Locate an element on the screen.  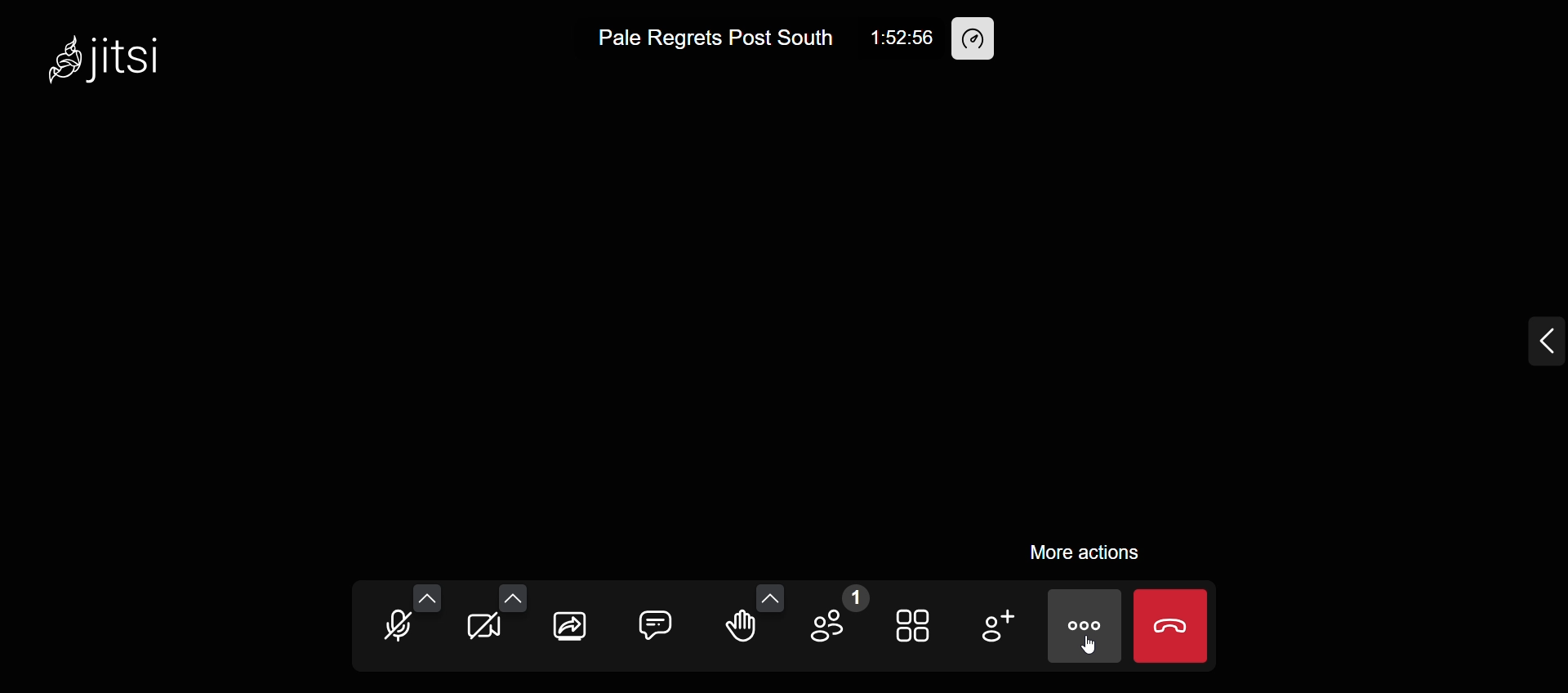
video setting is located at coordinates (515, 590).